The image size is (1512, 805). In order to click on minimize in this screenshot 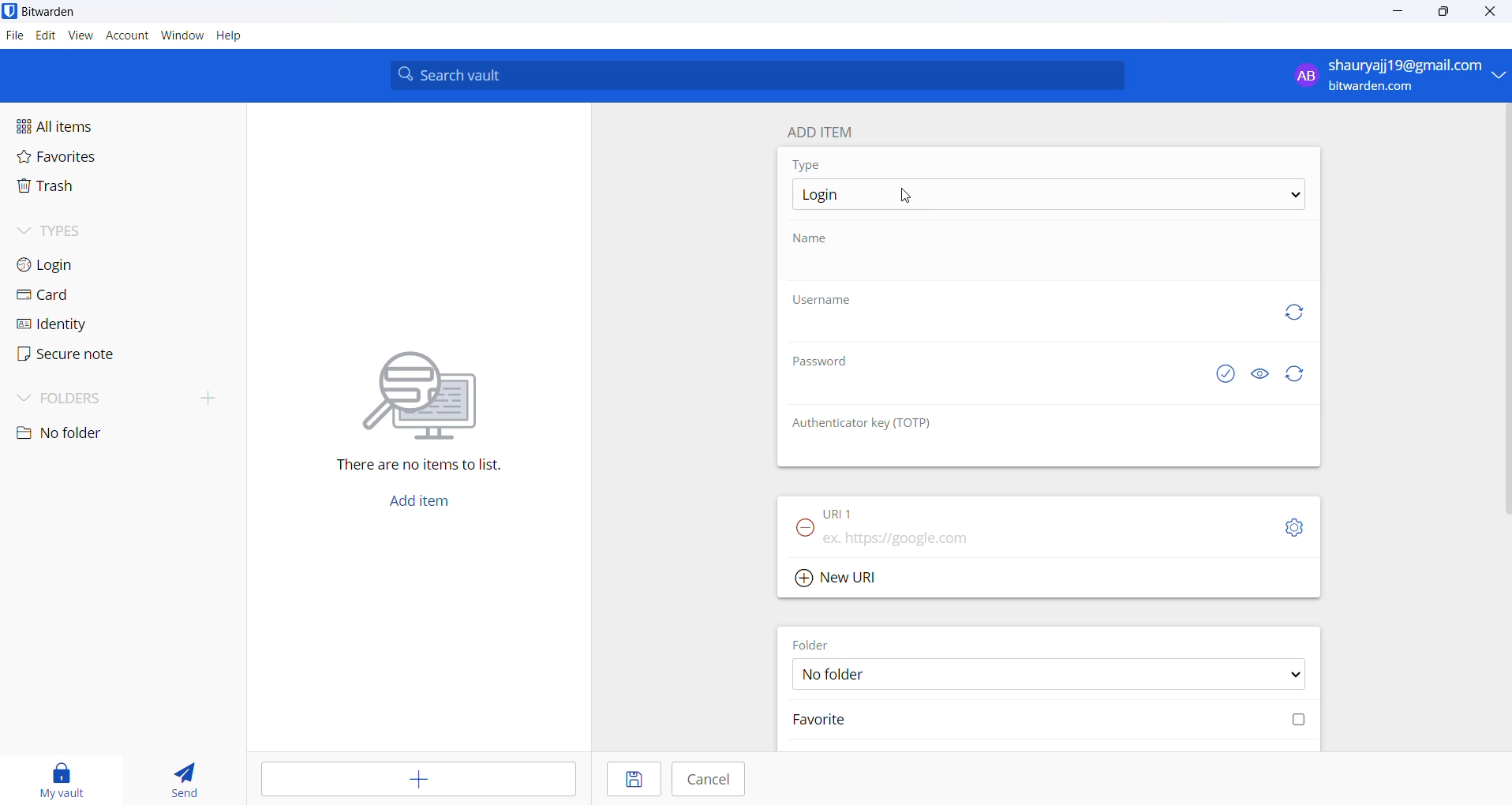, I will do `click(1400, 12)`.